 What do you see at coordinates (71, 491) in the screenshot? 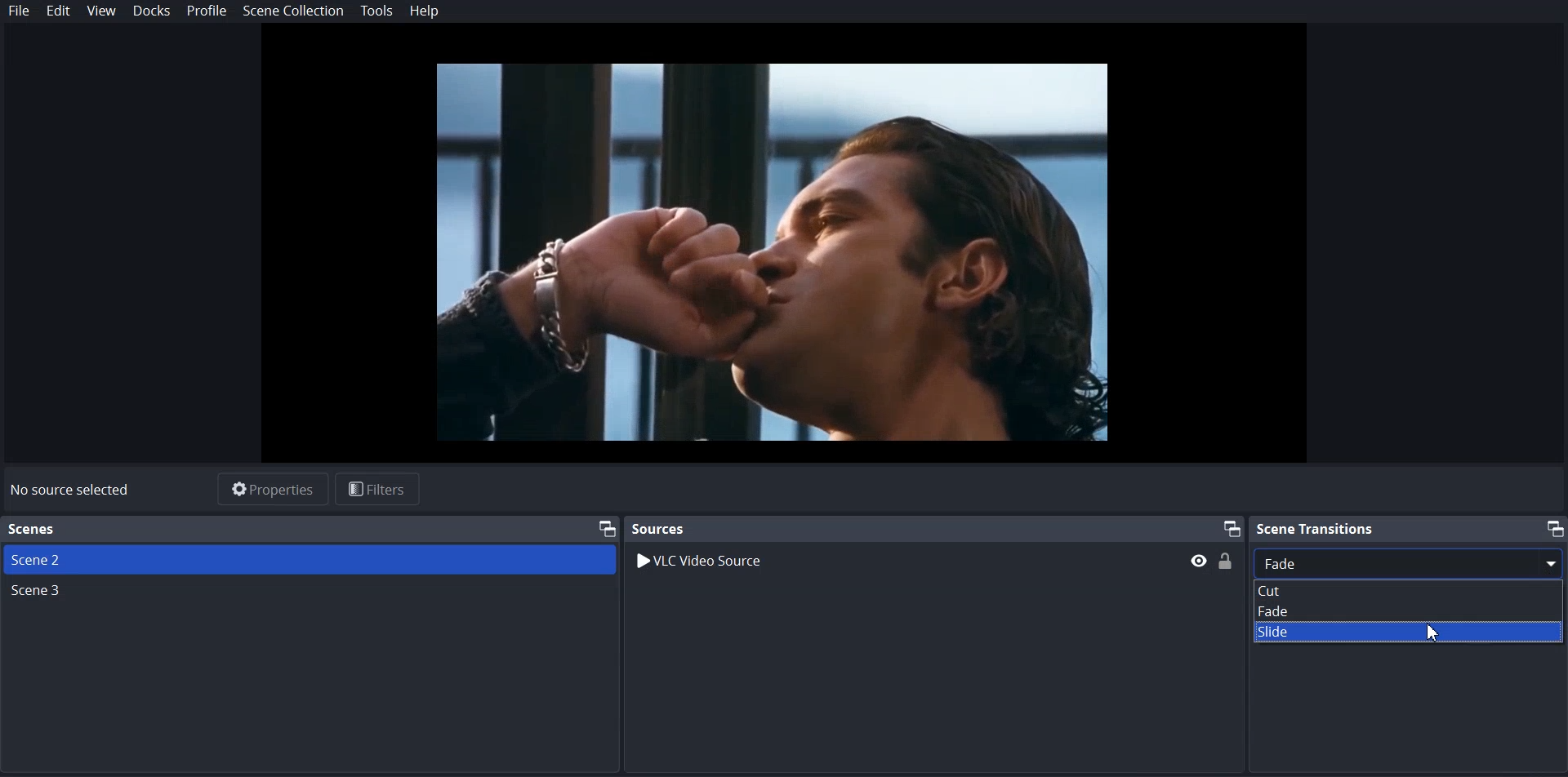
I see `No source selected` at bounding box center [71, 491].